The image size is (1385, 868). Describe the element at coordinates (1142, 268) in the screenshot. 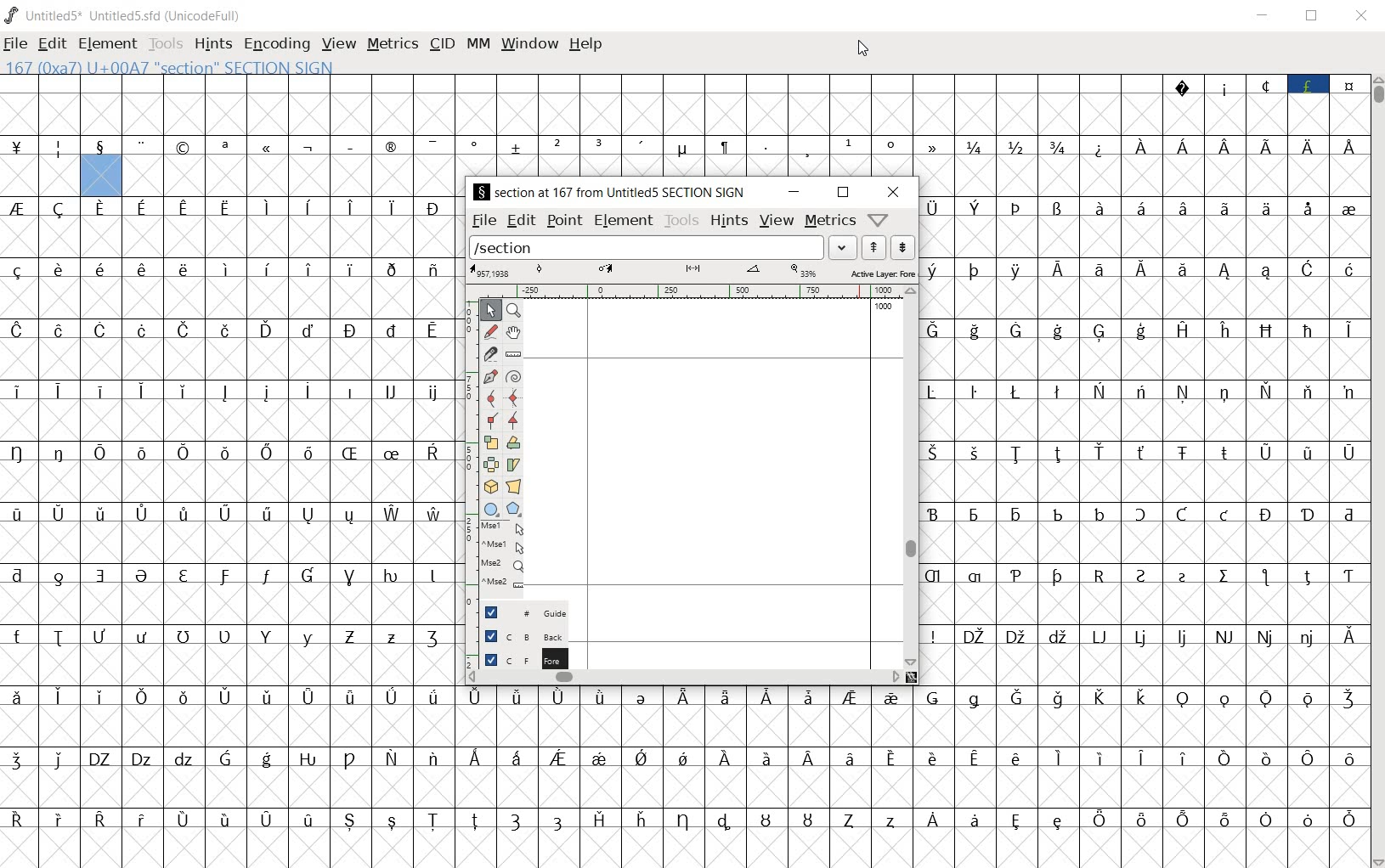

I see `special letters` at that location.